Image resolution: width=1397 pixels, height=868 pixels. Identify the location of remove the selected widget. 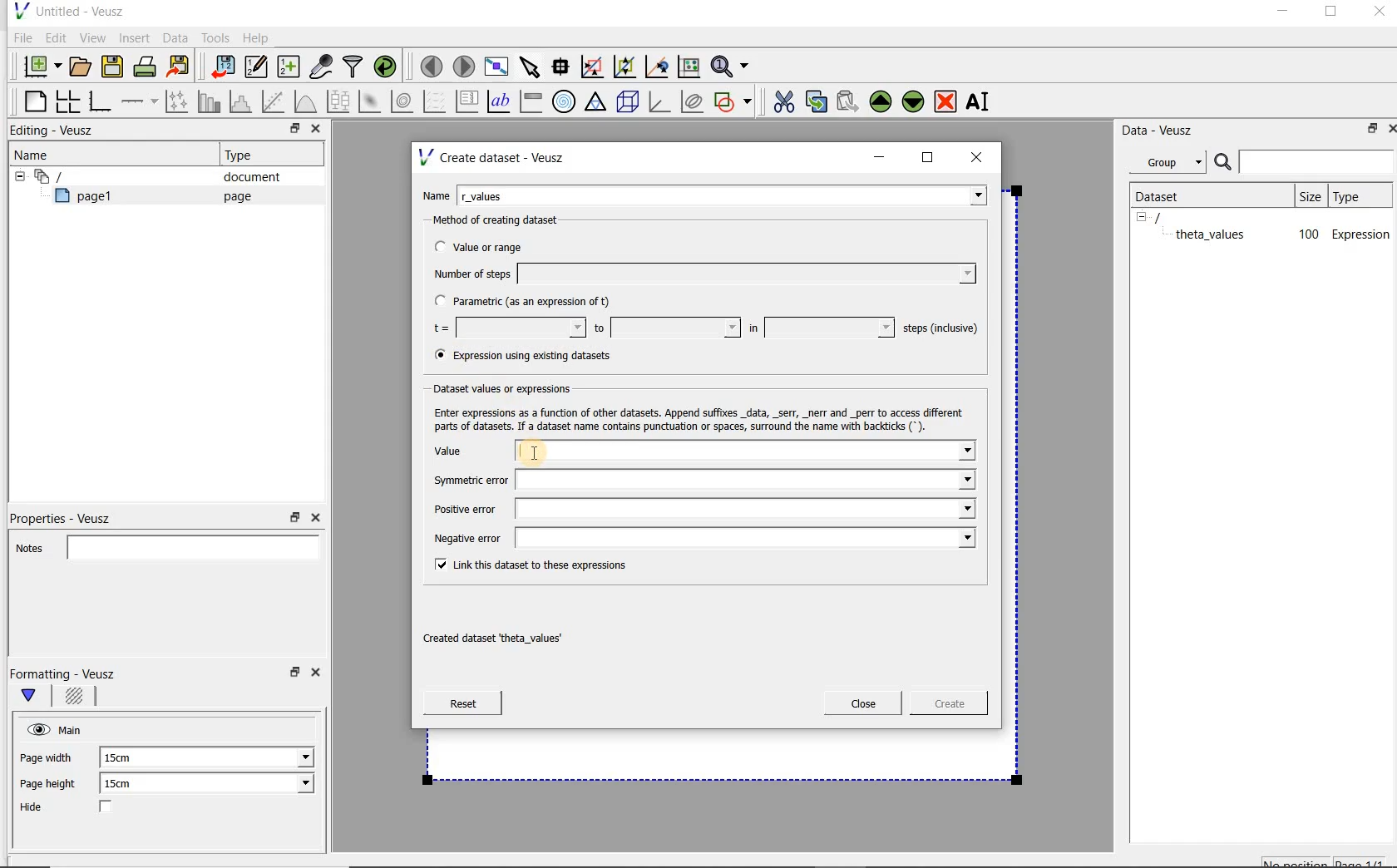
(946, 101).